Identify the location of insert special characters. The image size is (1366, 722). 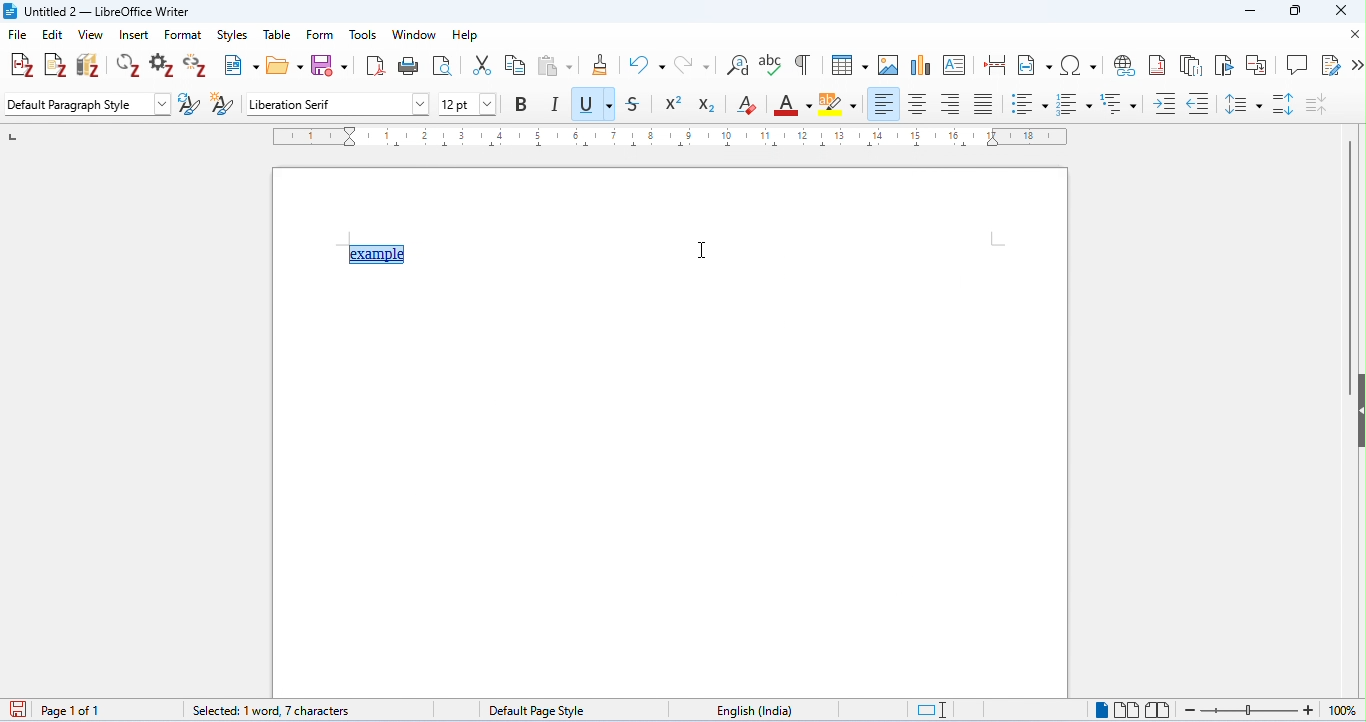
(1079, 63).